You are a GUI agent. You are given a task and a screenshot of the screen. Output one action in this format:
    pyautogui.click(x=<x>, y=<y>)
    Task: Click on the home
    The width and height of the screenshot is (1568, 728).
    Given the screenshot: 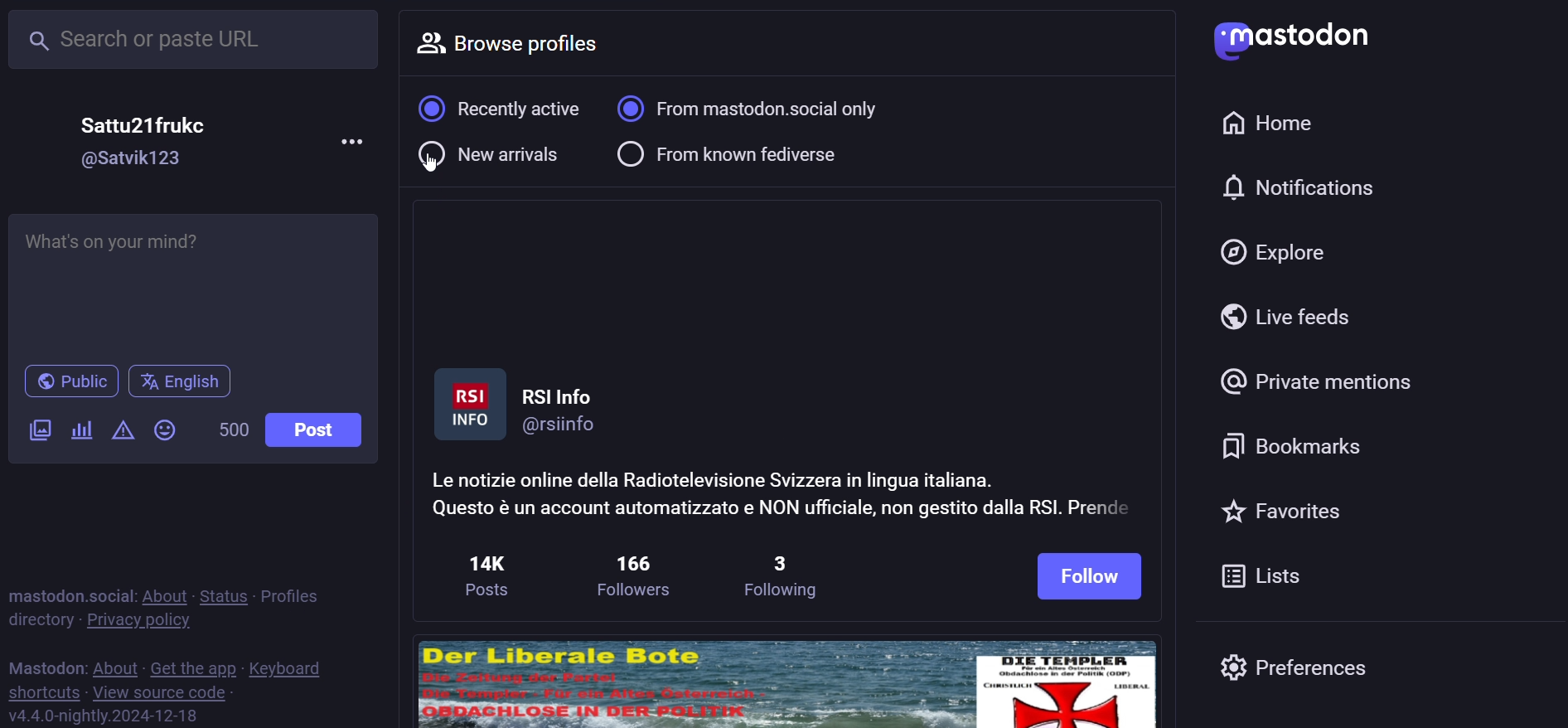 What is the action you would take?
    pyautogui.click(x=1267, y=122)
    